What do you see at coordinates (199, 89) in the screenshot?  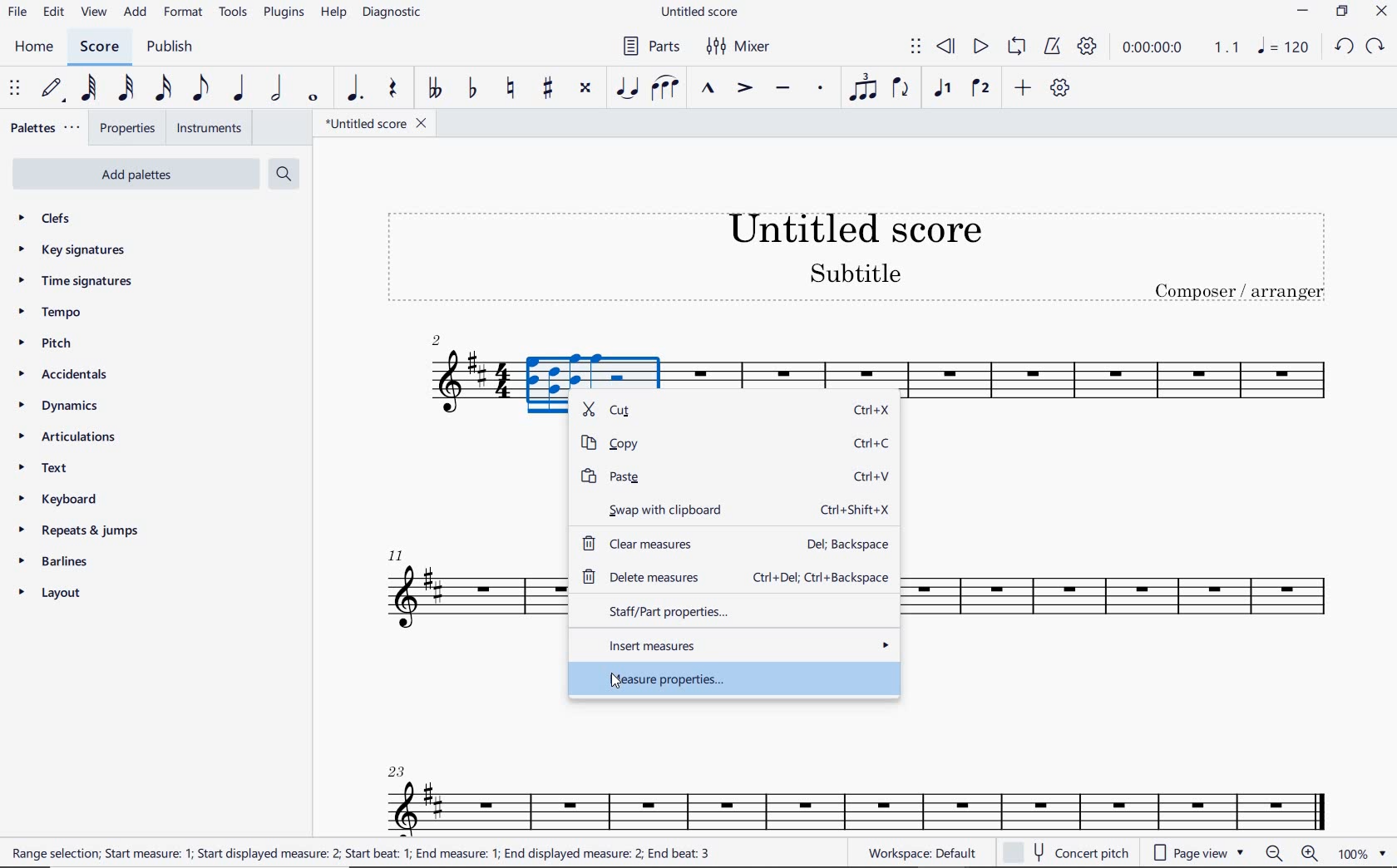 I see `EIGHTH NOTE` at bounding box center [199, 89].